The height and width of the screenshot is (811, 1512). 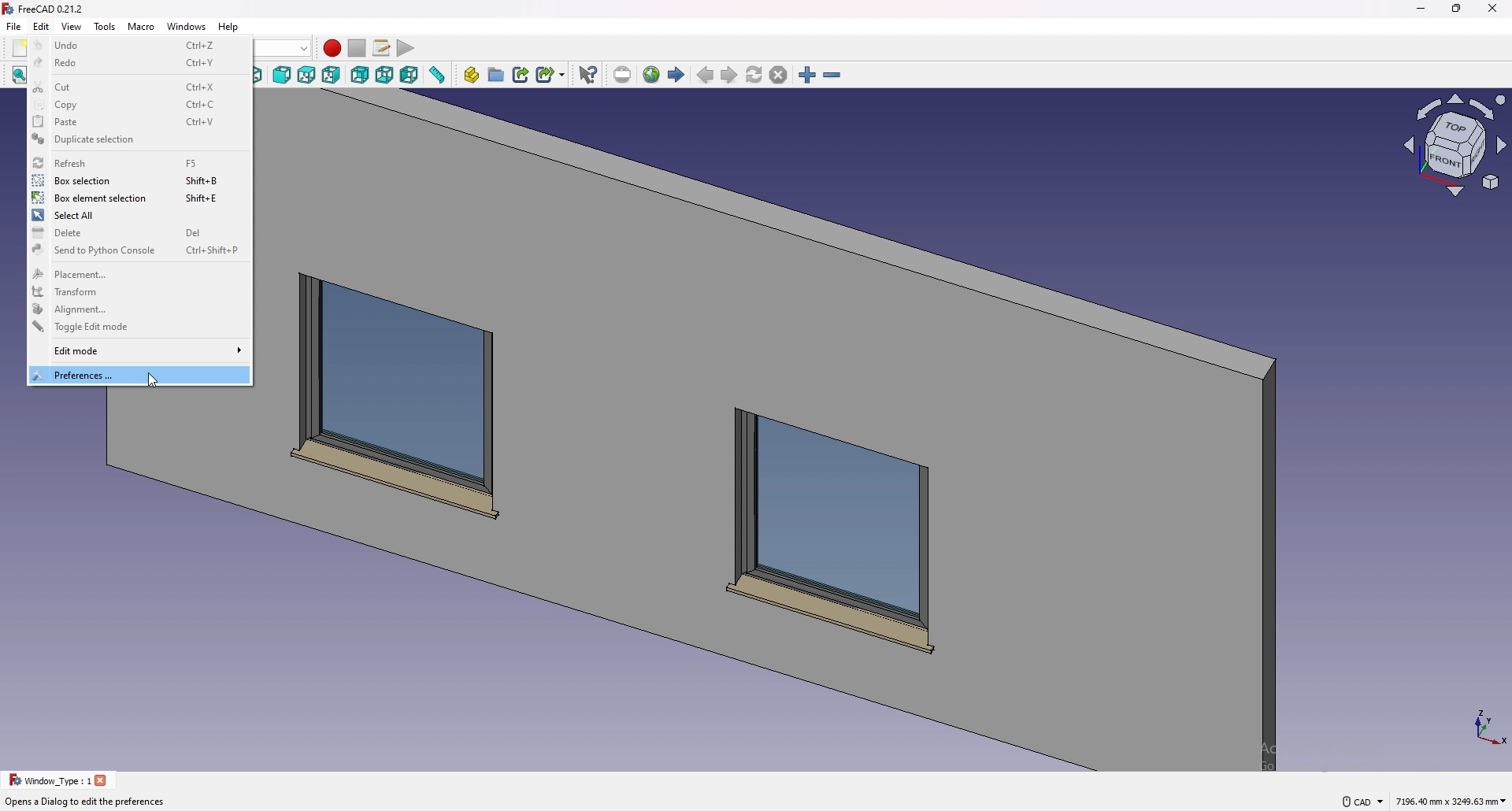 I want to click on toggle edit mode, so click(x=136, y=328).